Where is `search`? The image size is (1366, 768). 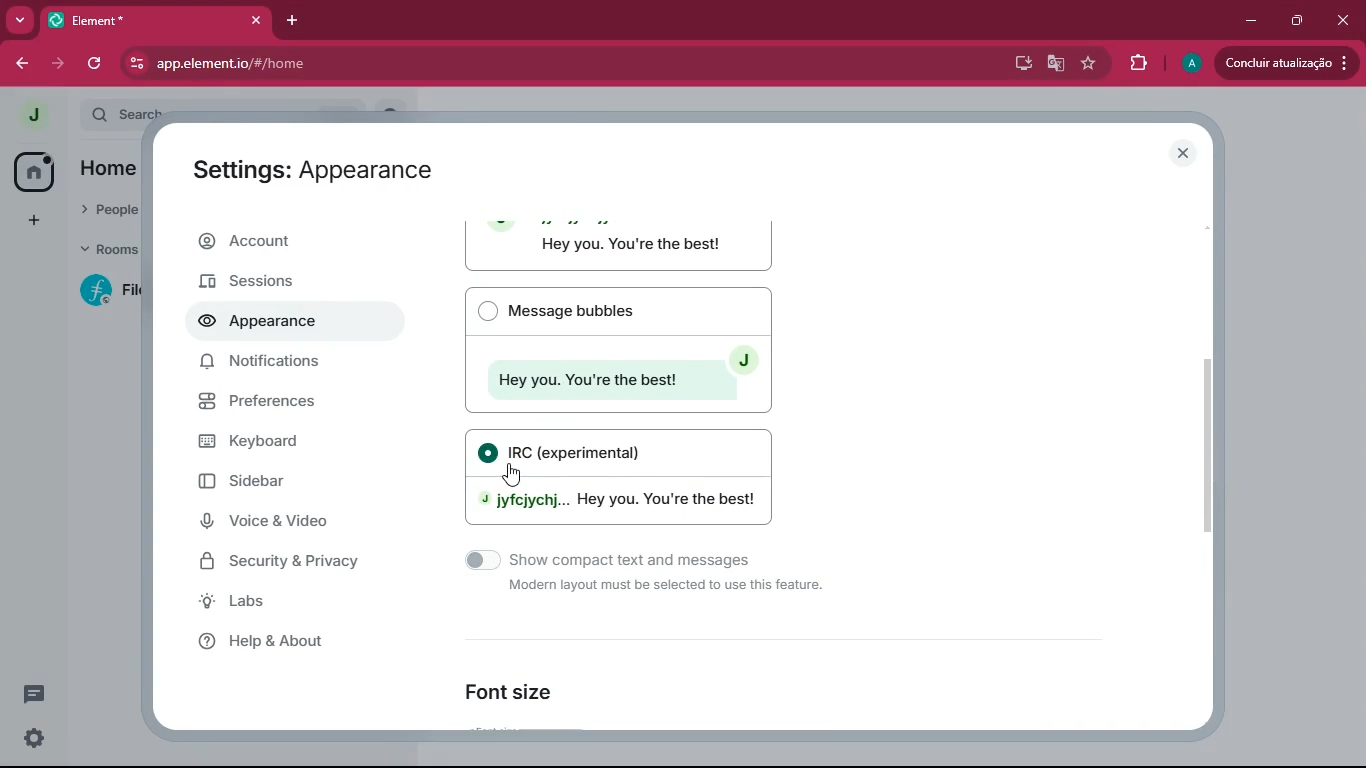
search is located at coordinates (127, 114).